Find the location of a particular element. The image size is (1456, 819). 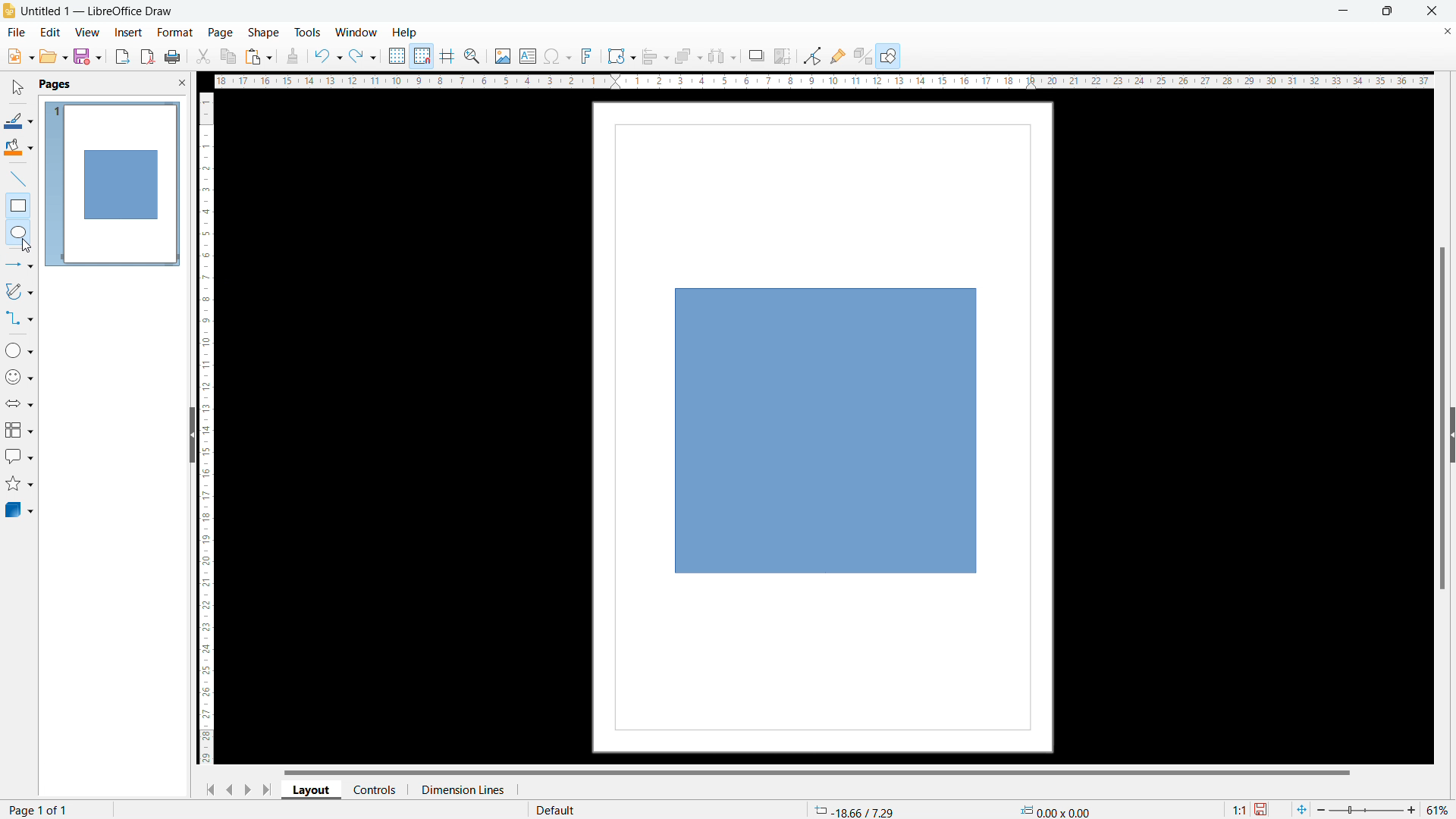

save is located at coordinates (87, 56).